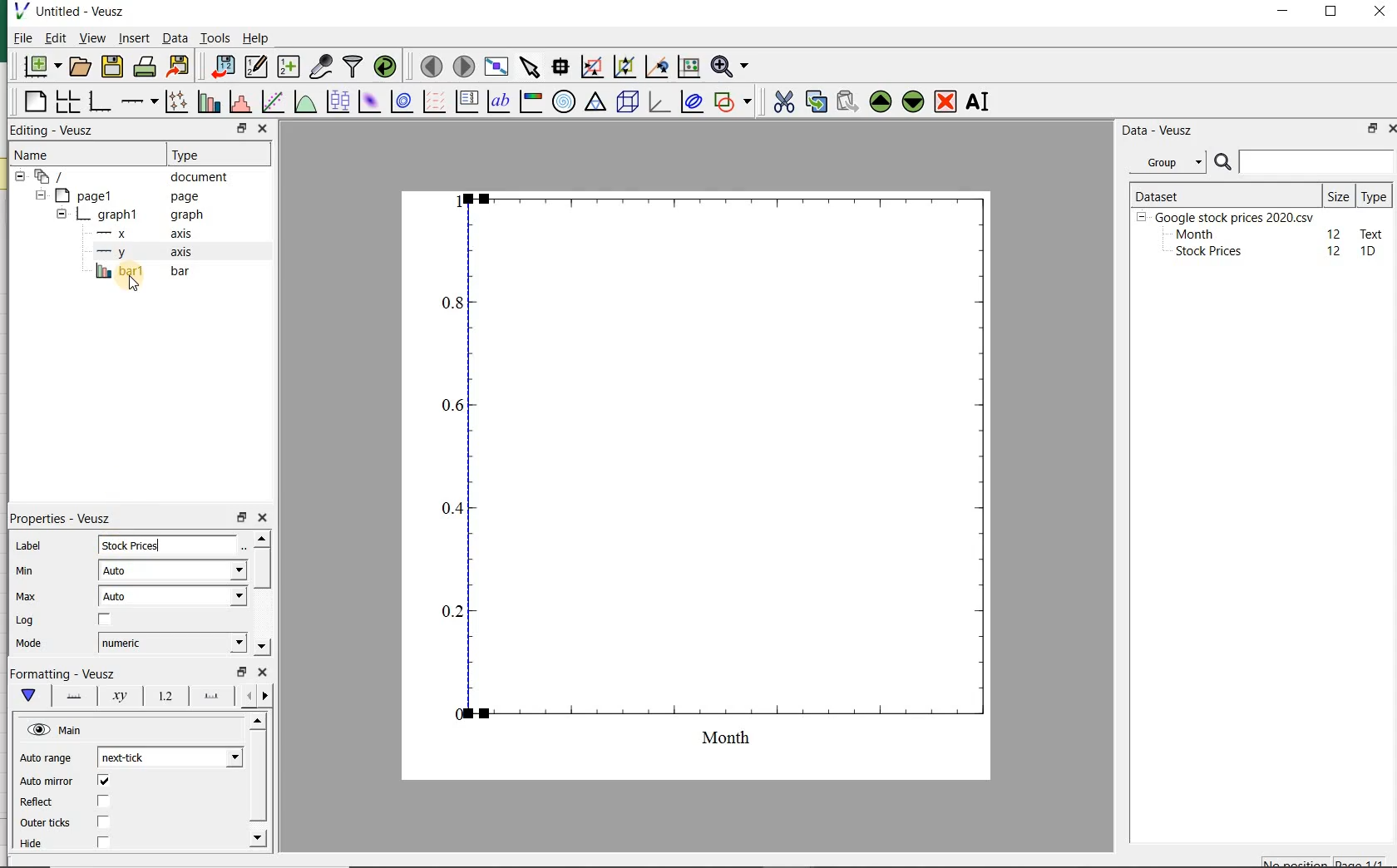 The image size is (1397, 868). What do you see at coordinates (975, 104) in the screenshot?
I see `renames the selected widget` at bounding box center [975, 104].